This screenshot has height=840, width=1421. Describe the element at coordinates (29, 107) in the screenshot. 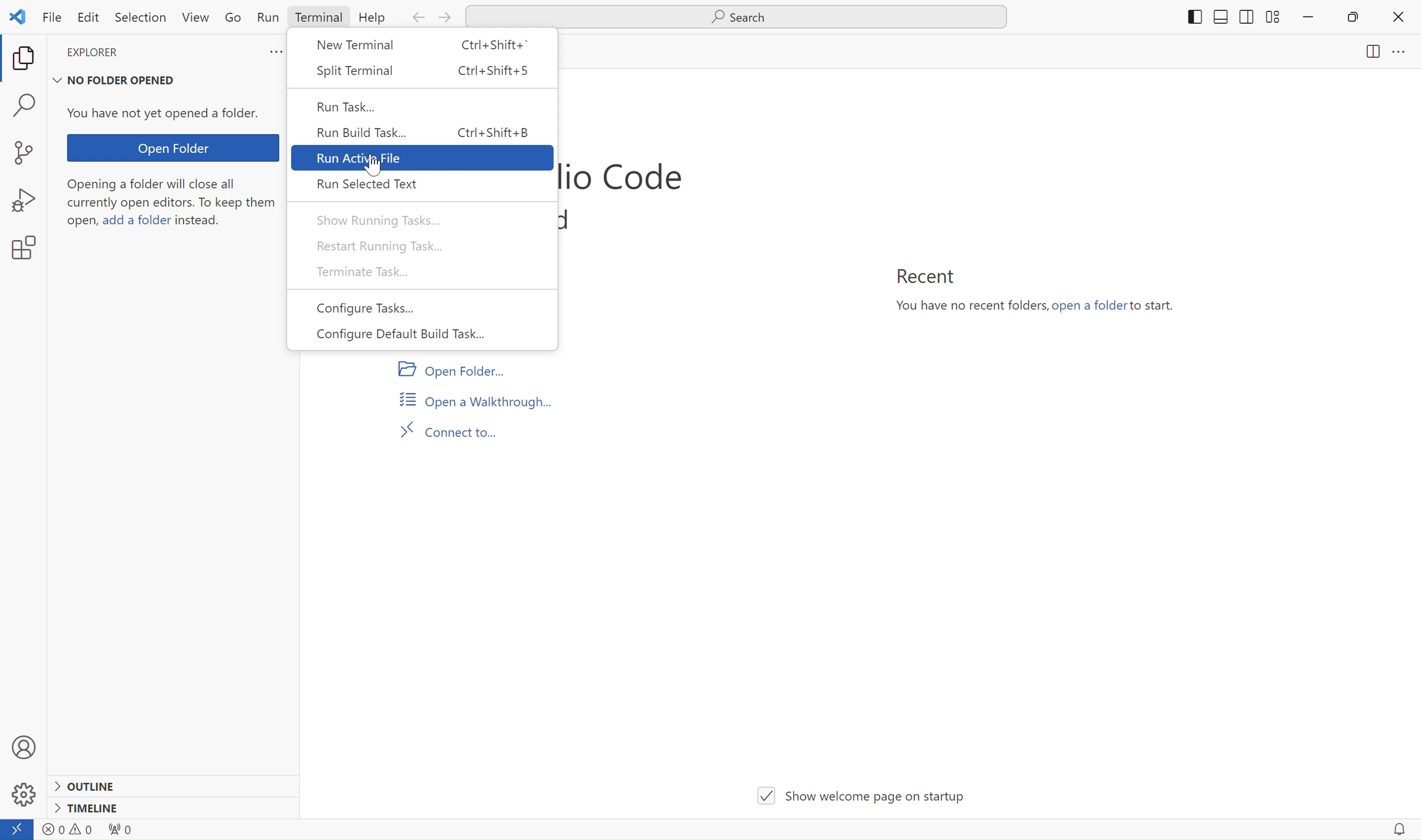

I see `find` at that location.